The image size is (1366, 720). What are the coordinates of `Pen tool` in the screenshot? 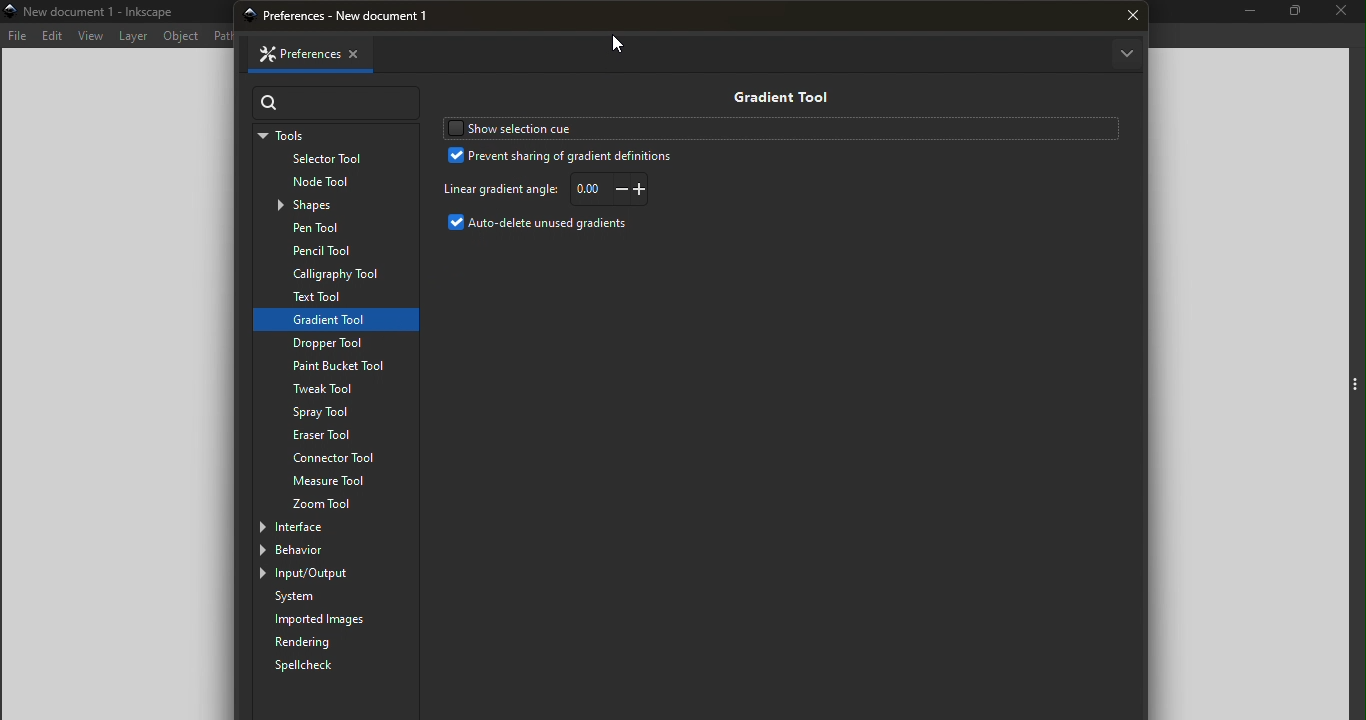 It's located at (338, 229).